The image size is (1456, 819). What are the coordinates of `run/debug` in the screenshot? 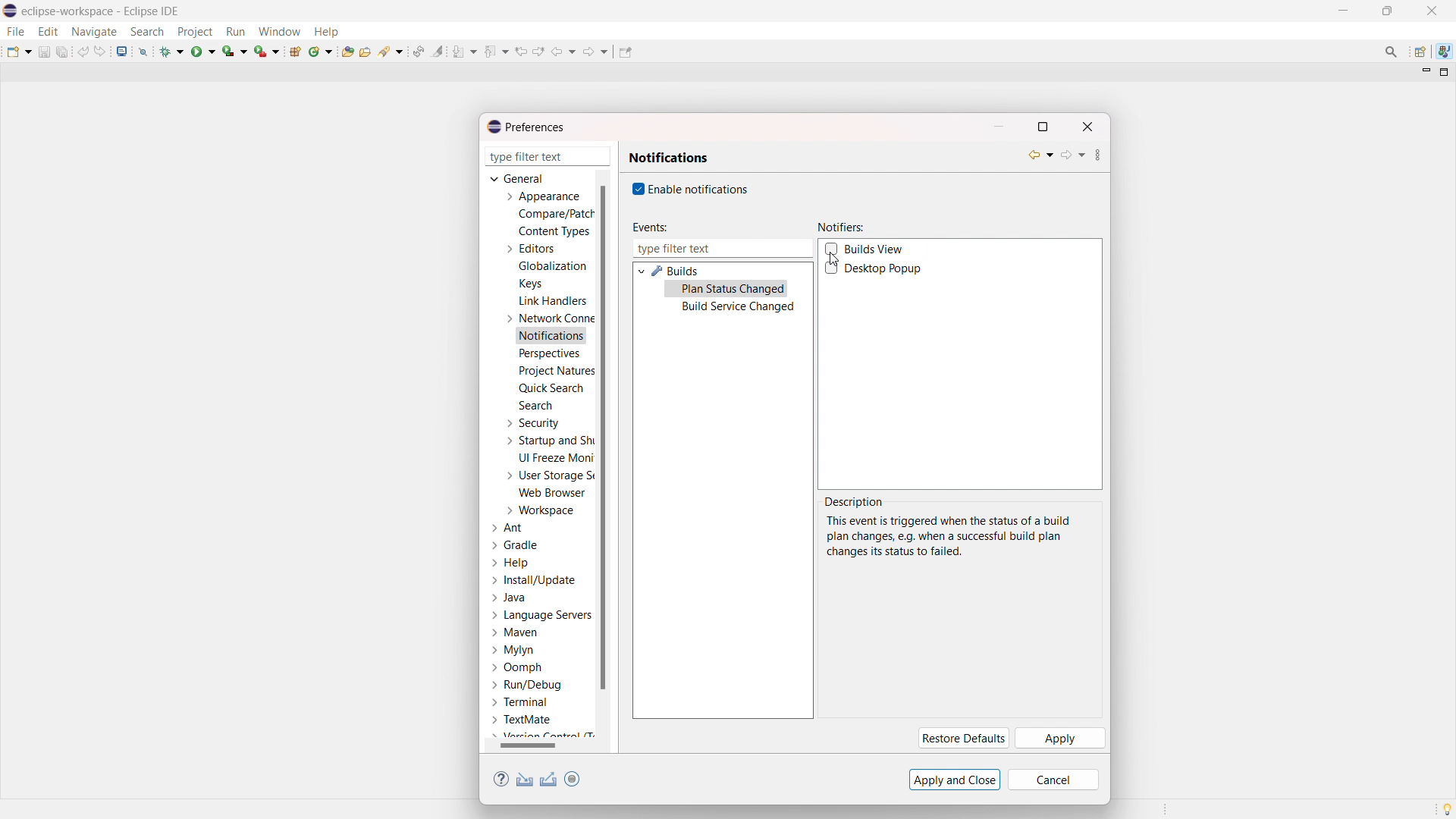 It's located at (526, 684).